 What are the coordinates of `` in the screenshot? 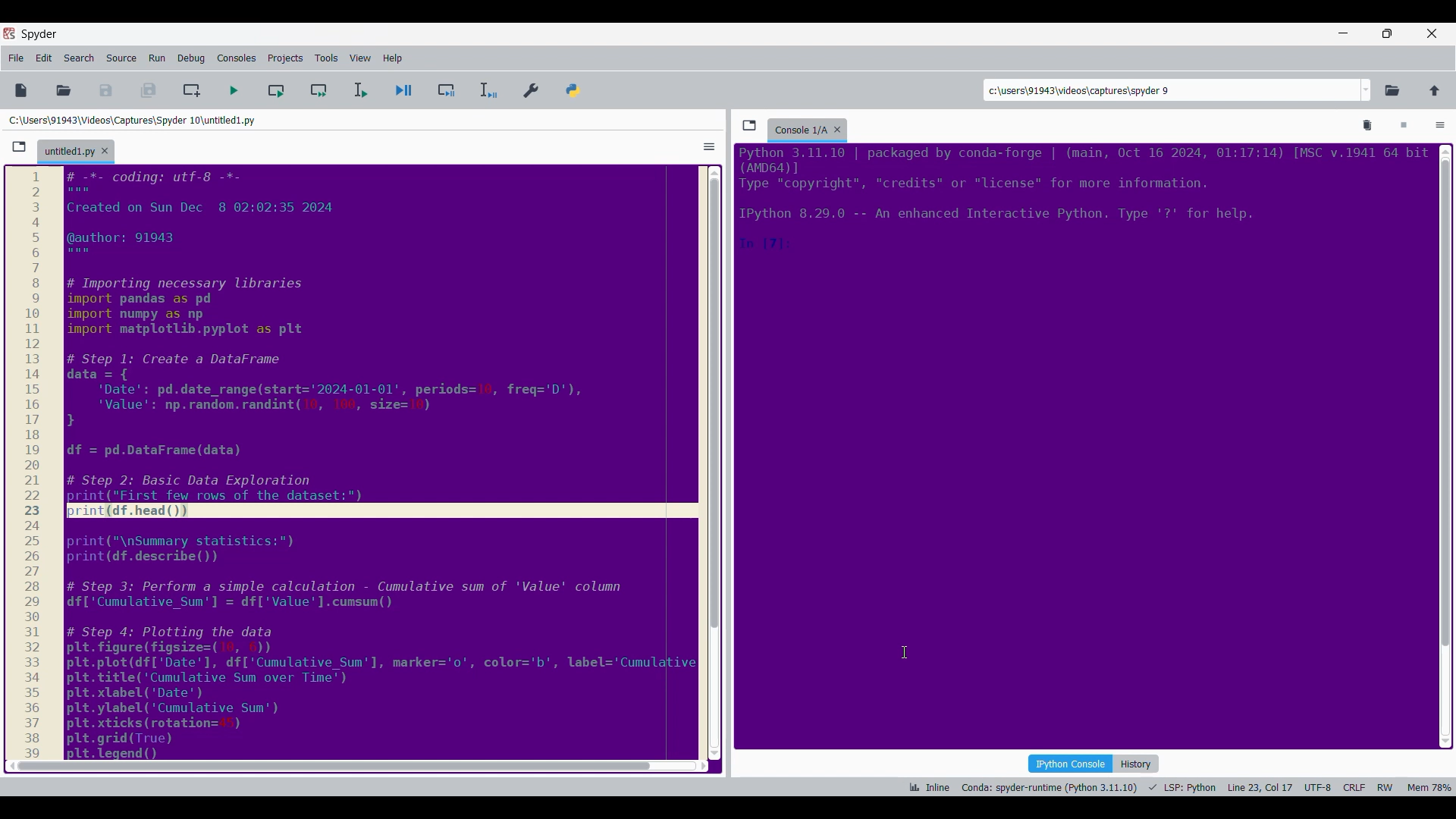 It's located at (360, 767).